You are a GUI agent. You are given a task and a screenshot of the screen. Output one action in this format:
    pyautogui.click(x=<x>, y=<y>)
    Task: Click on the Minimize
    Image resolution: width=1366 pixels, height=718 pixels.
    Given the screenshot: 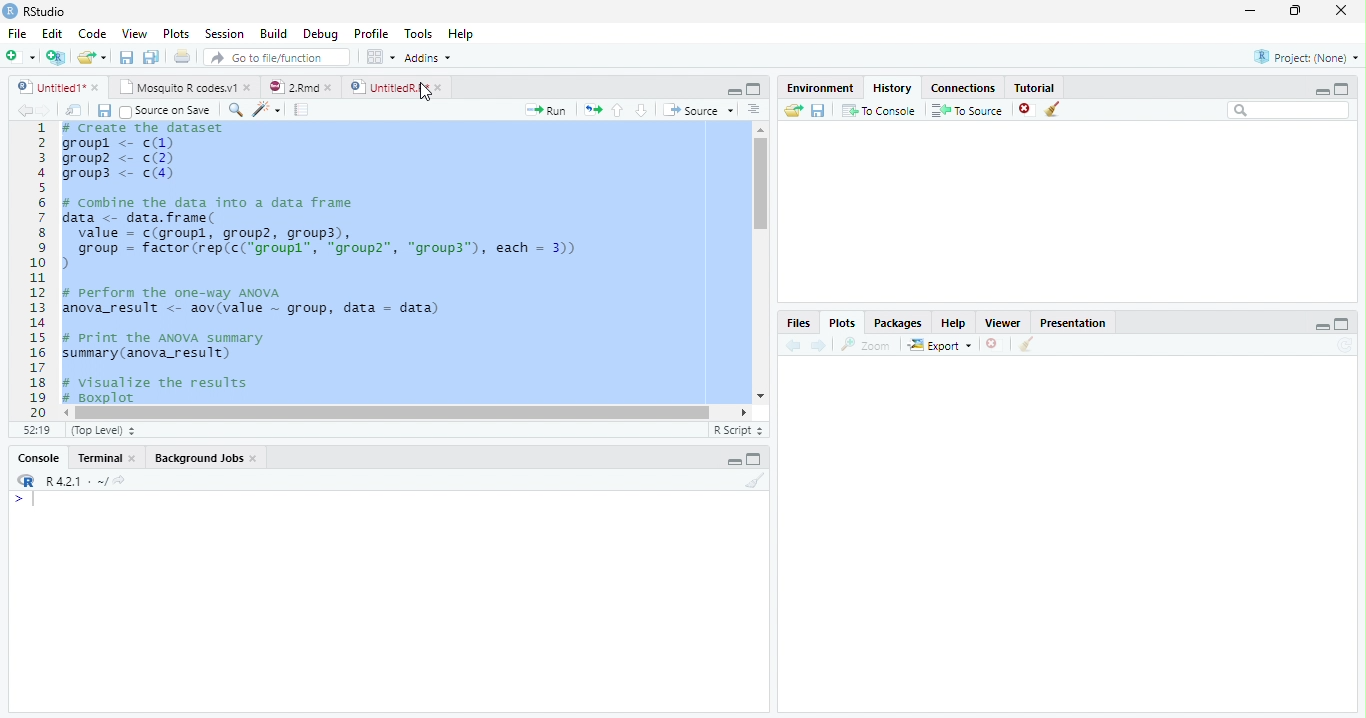 What is the action you would take?
    pyautogui.click(x=1251, y=12)
    